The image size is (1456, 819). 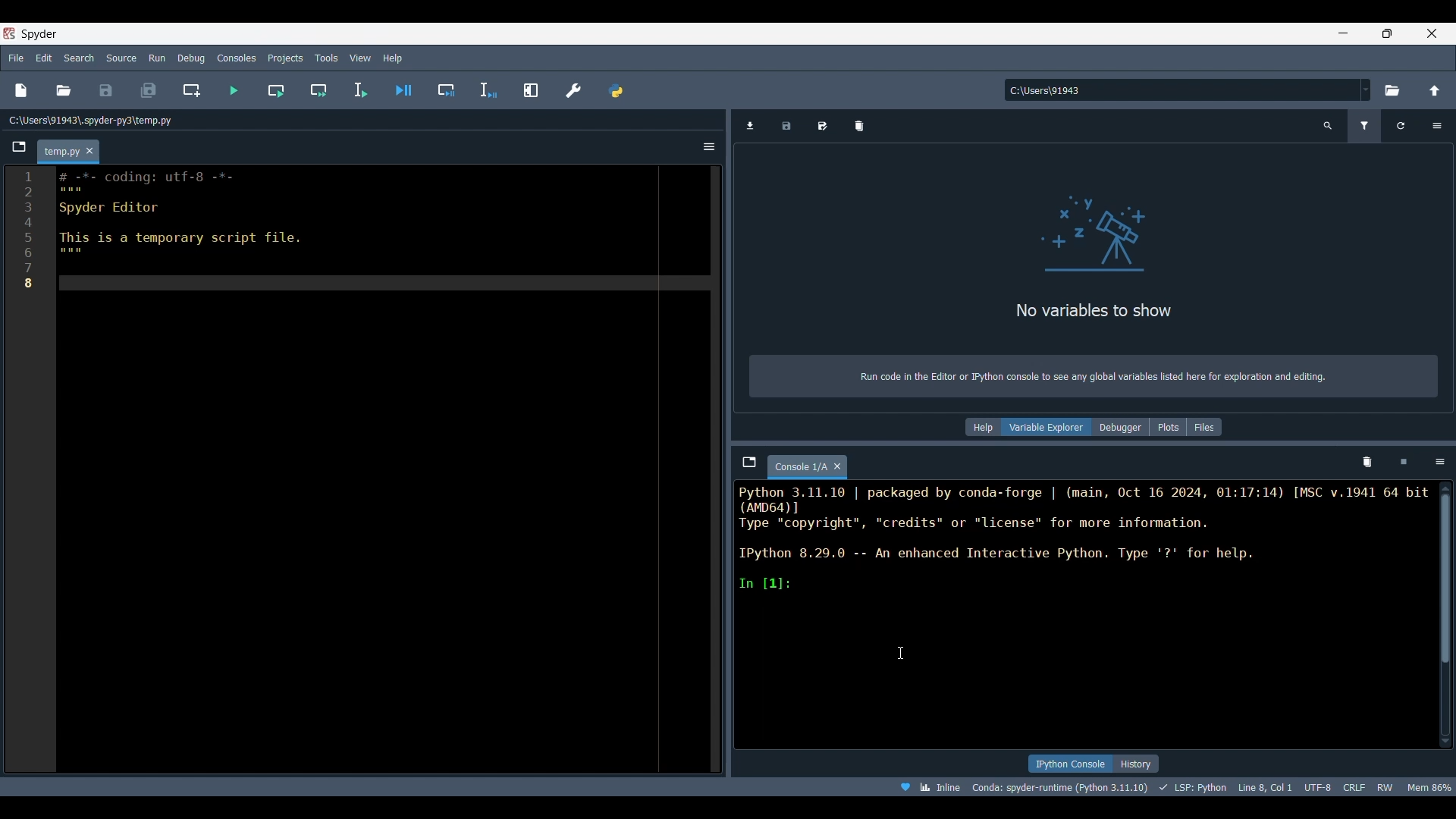 What do you see at coordinates (1366, 89) in the screenshot?
I see `Location options` at bounding box center [1366, 89].